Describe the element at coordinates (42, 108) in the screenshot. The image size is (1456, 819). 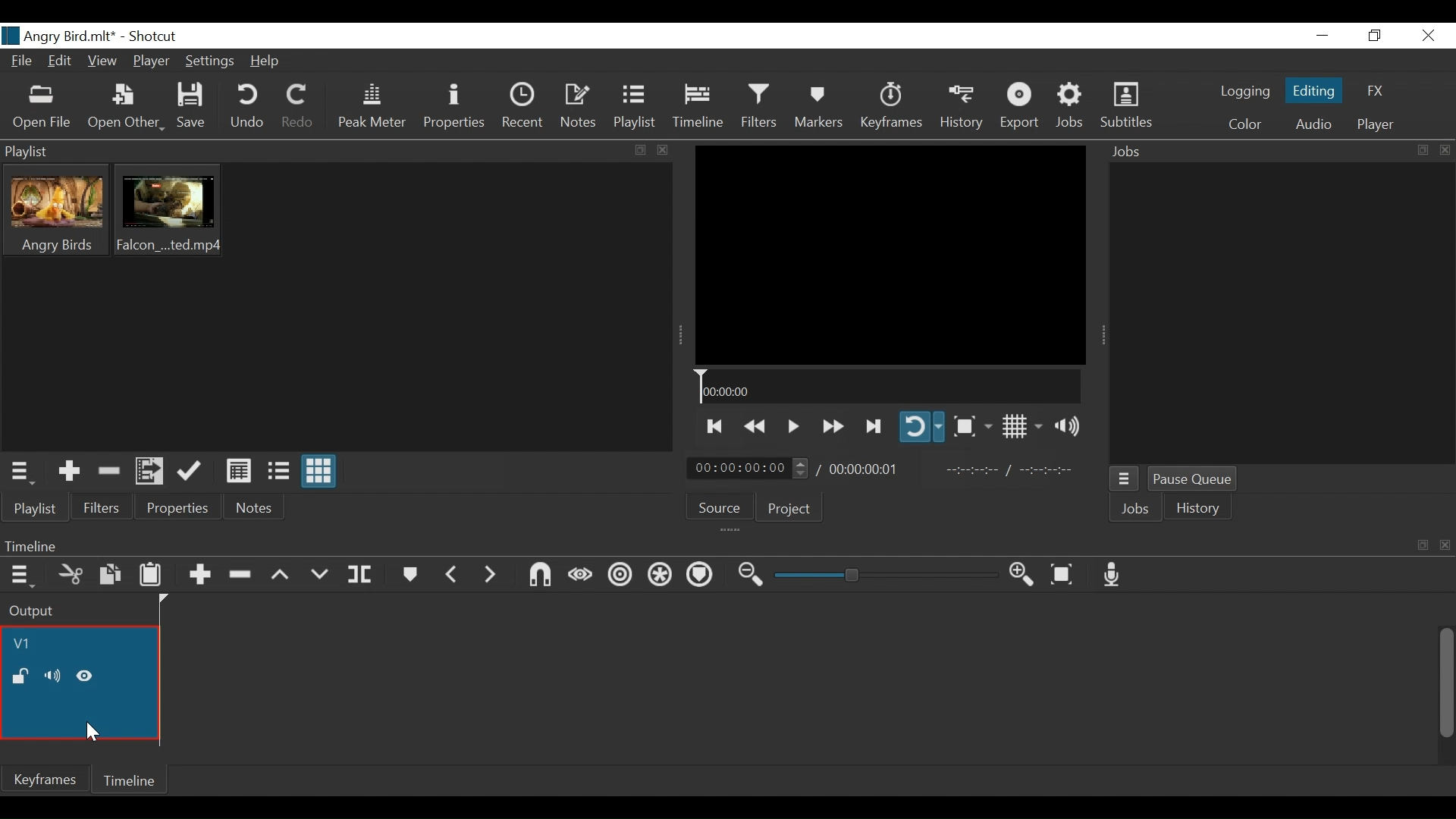
I see `Open File` at that location.